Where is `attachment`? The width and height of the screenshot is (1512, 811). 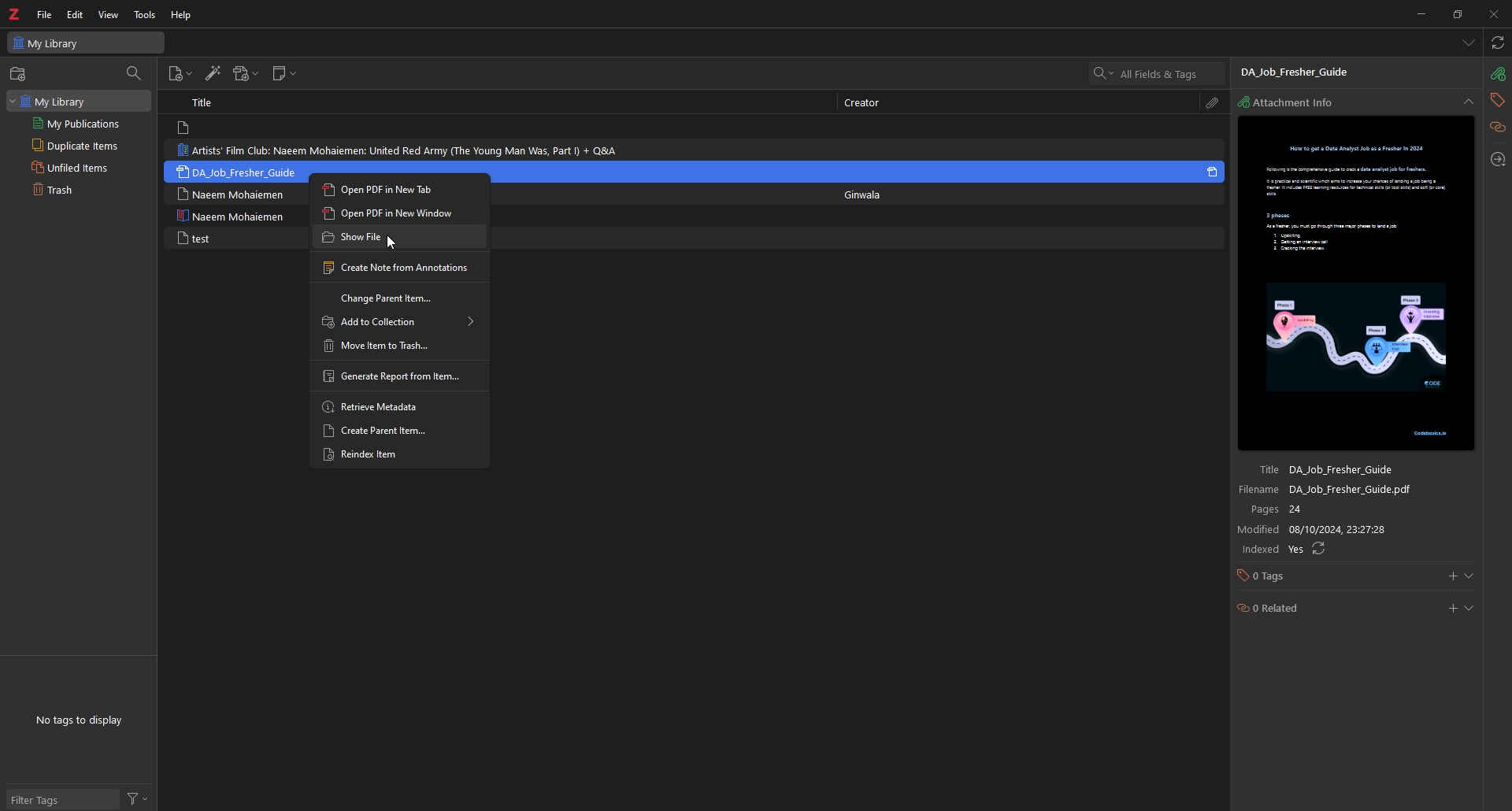 attachment is located at coordinates (1215, 102).